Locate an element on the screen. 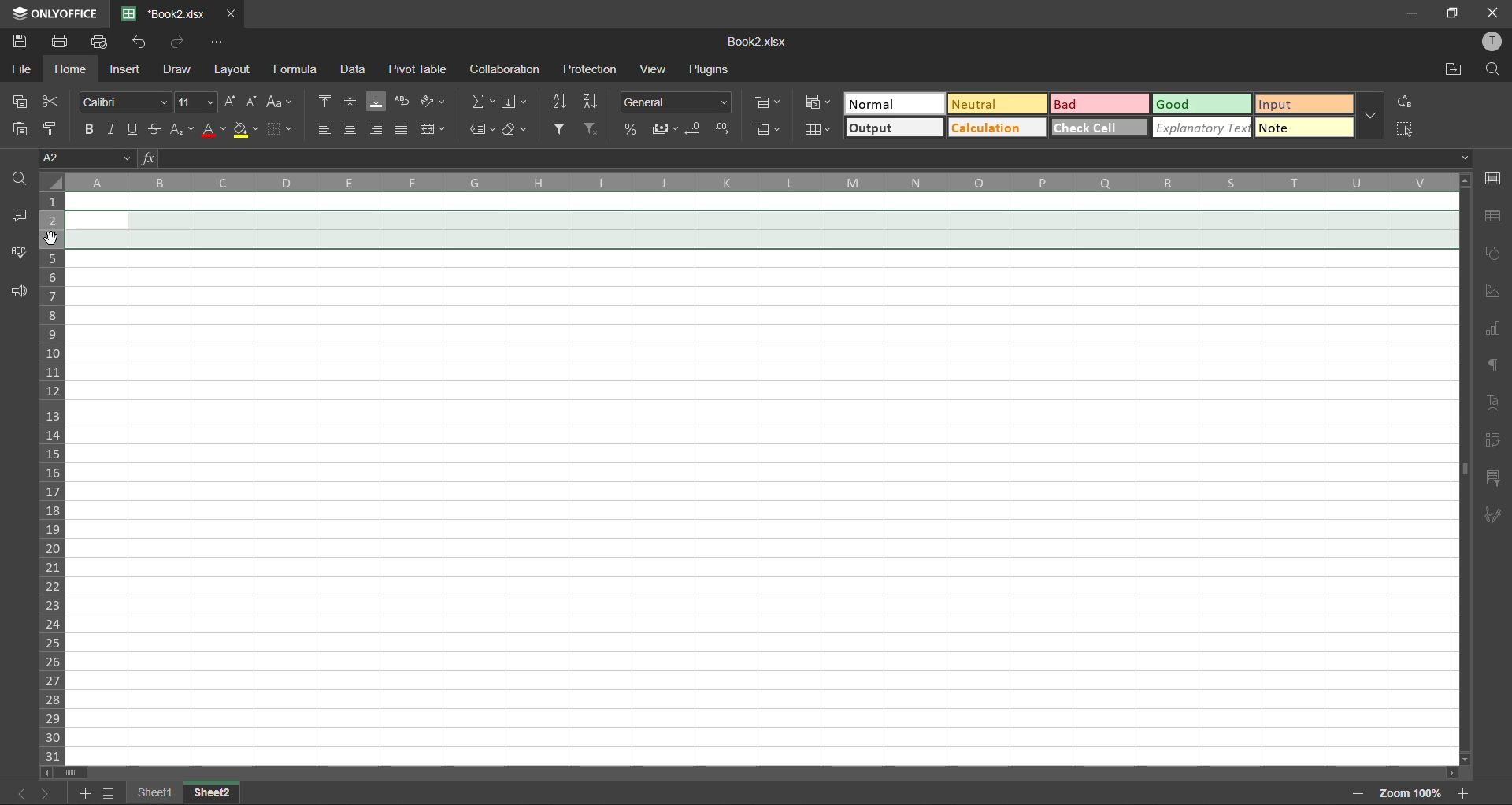 The width and height of the screenshot is (1512, 805). copy is located at coordinates (22, 99).